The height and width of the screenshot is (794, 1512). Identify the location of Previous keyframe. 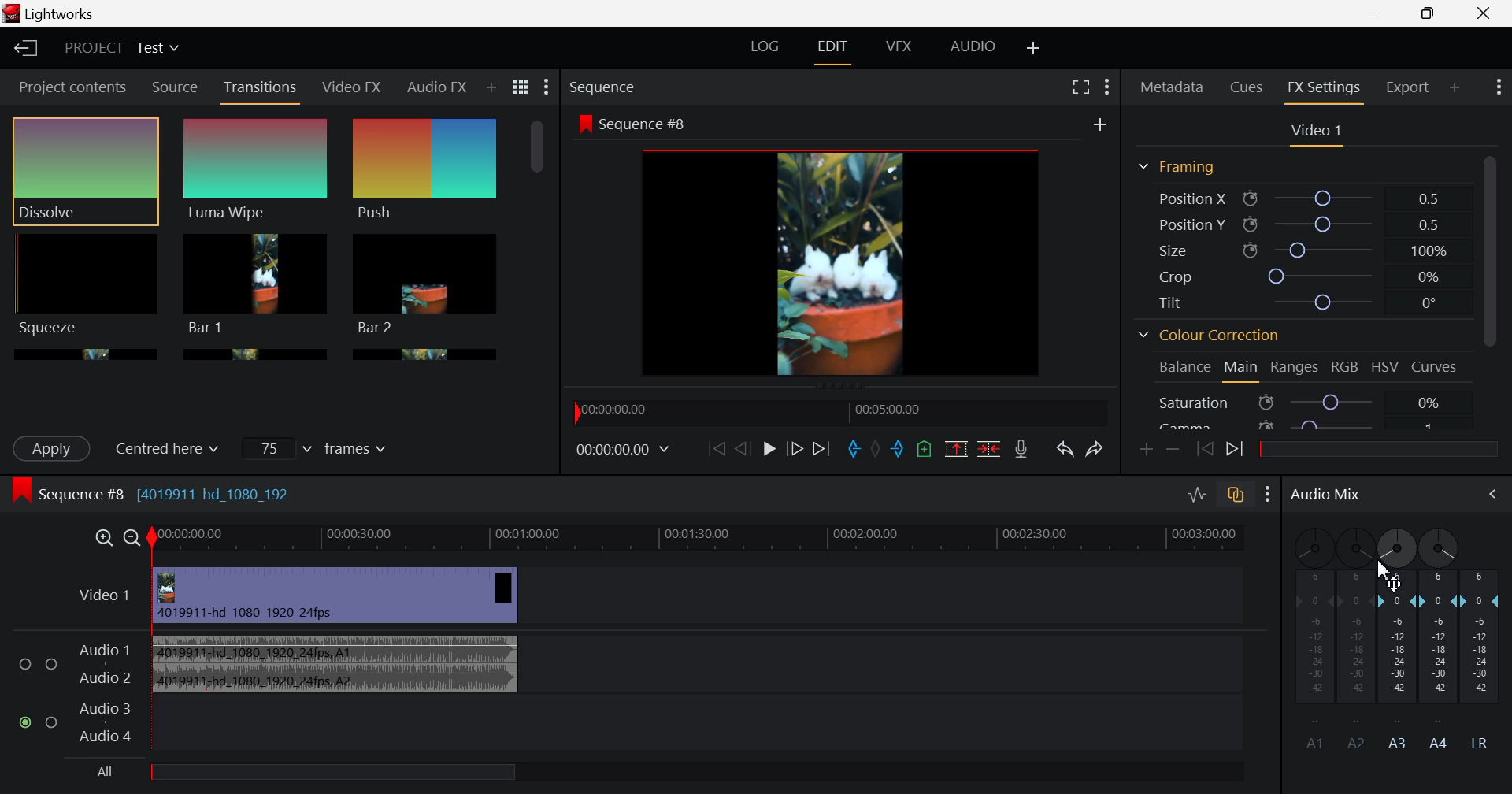
(1202, 447).